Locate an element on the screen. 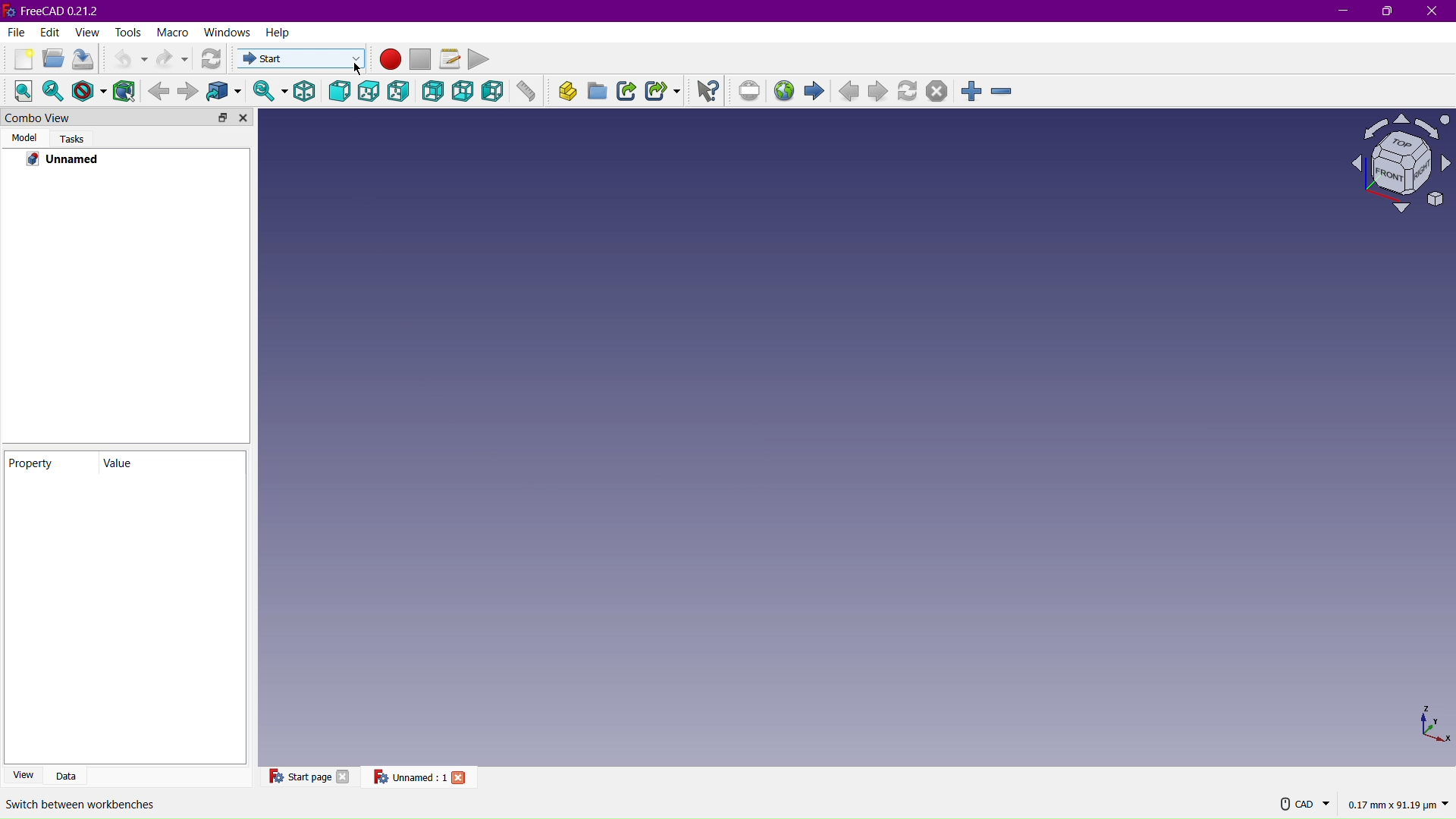  Minimize is located at coordinates (1341, 11).